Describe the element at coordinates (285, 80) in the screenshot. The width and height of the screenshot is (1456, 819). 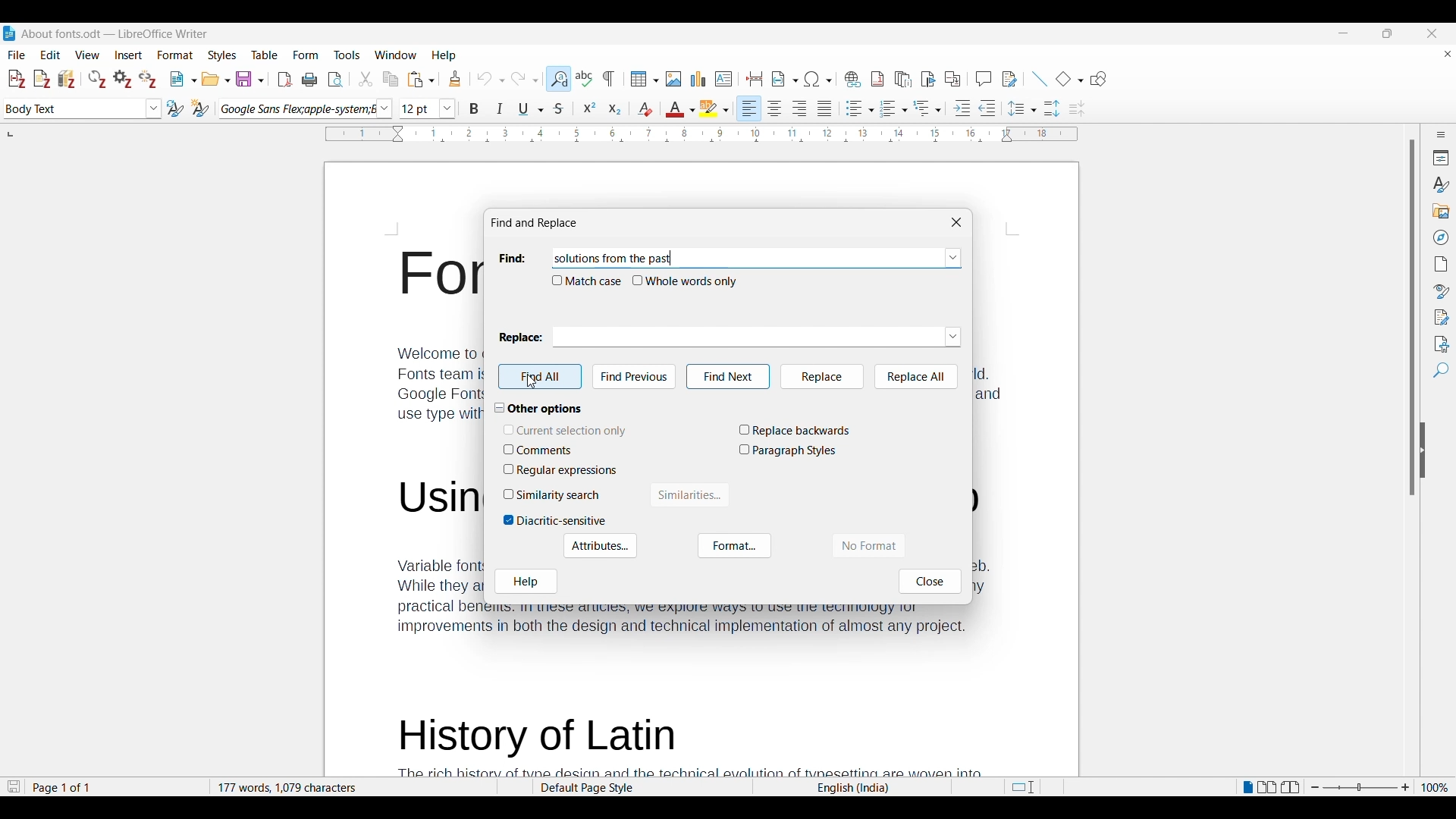
I see `Export directly as PDF` at that location.